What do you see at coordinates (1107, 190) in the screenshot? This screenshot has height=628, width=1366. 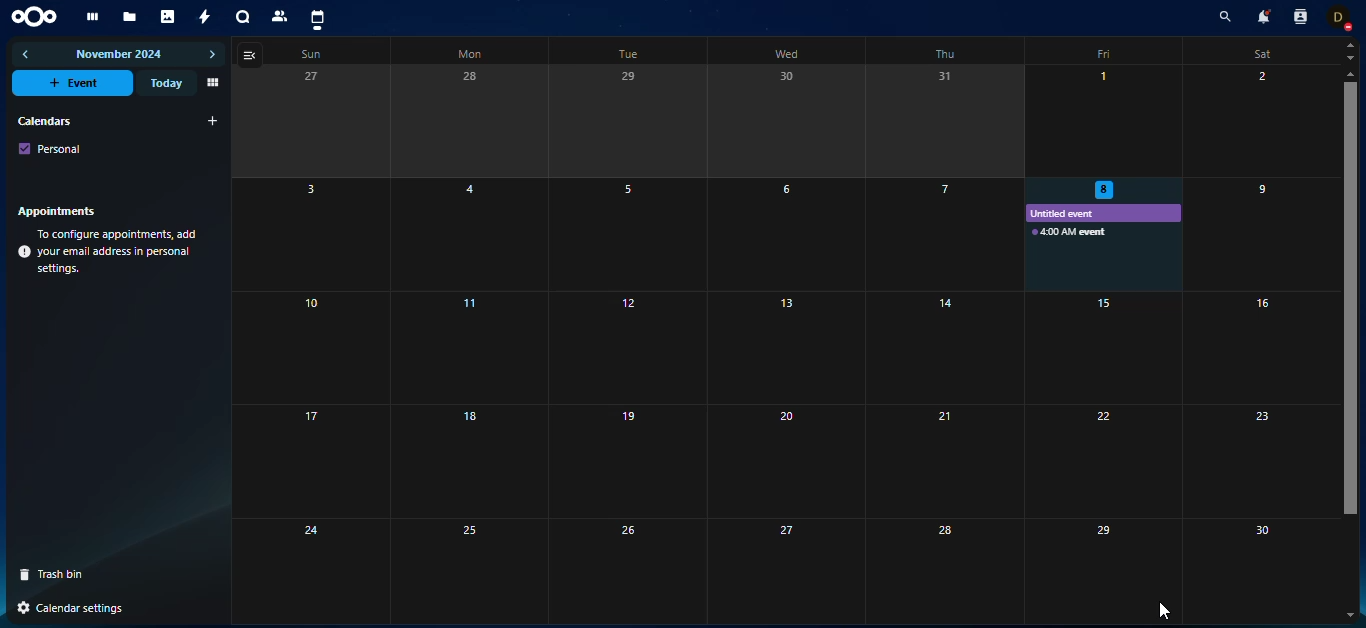 I see `selected date` at bounding box center [1107, 190].